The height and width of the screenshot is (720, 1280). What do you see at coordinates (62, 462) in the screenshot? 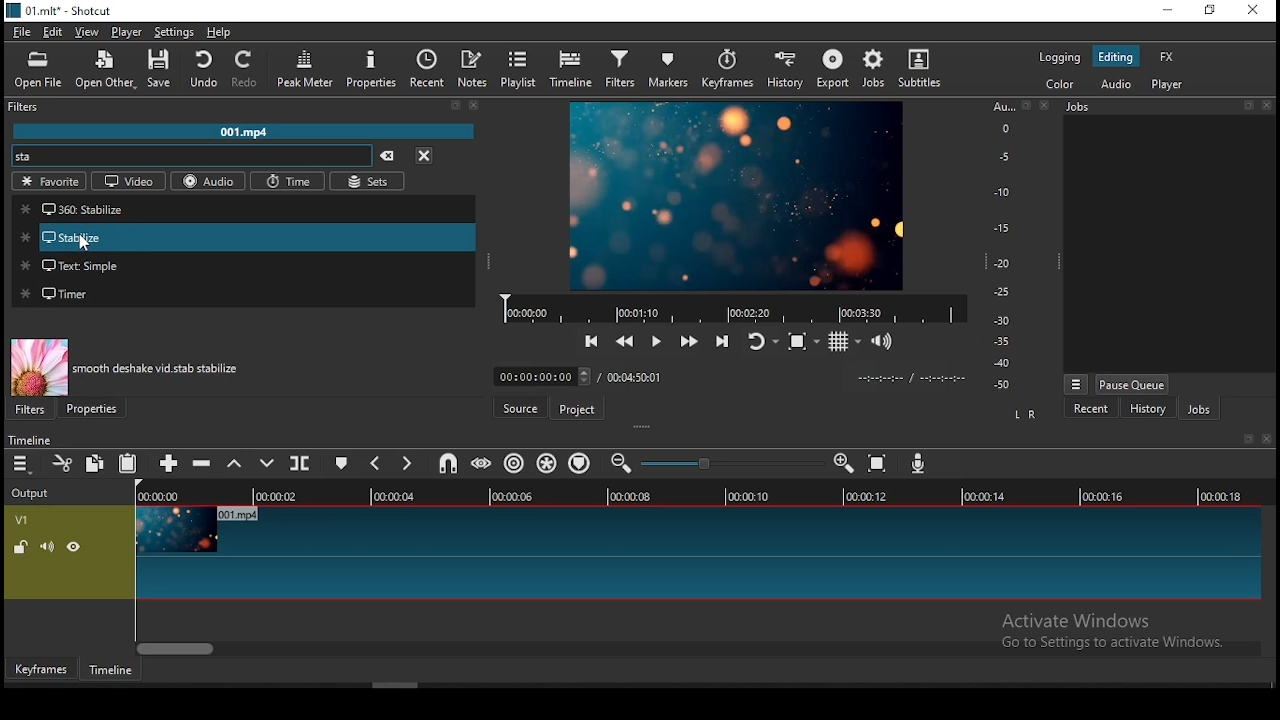
I see `cut` at bounding box center [62, 462].